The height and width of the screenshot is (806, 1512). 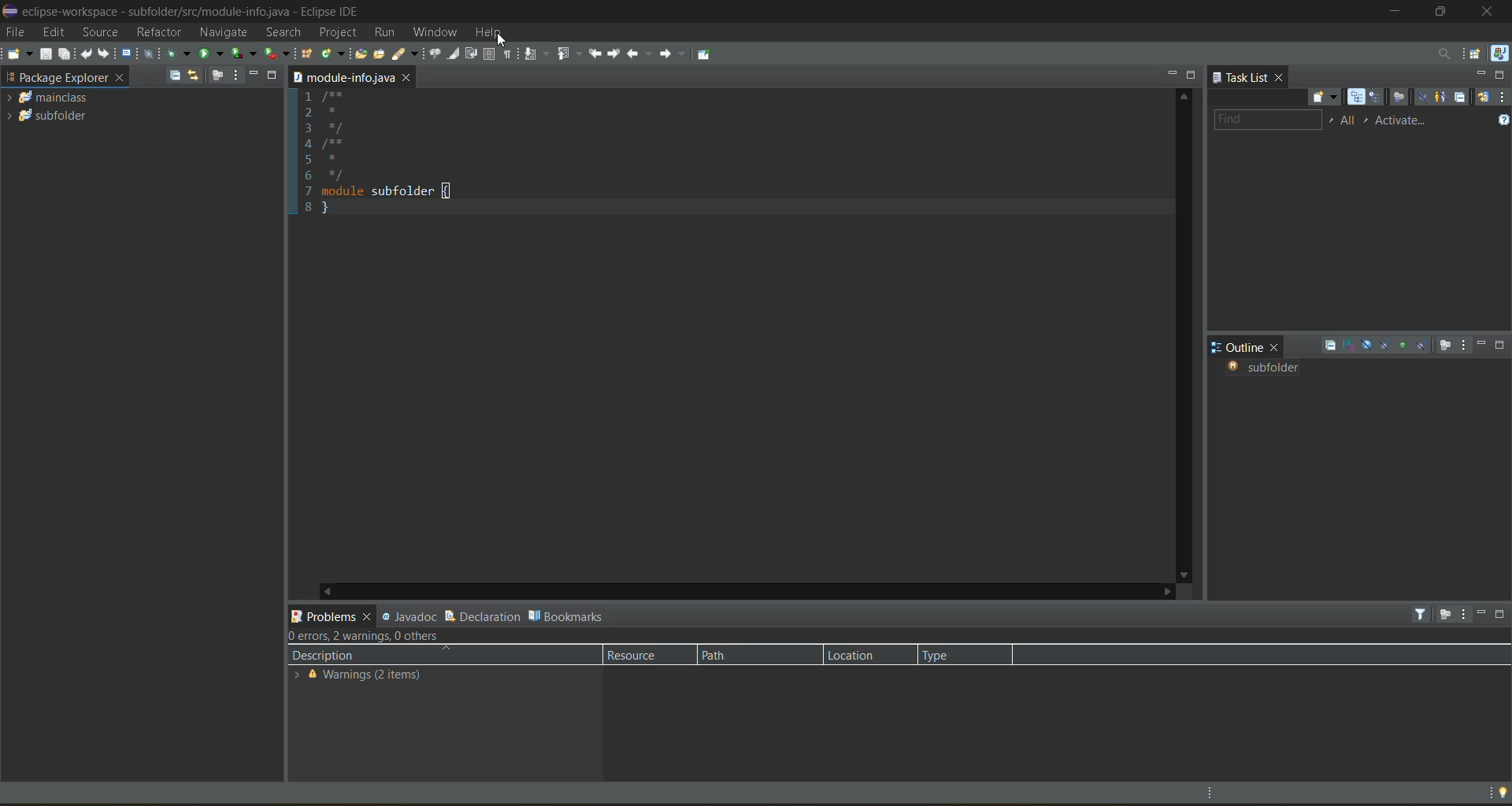 I want to click on scheduled, so click(x=1377, y=99).